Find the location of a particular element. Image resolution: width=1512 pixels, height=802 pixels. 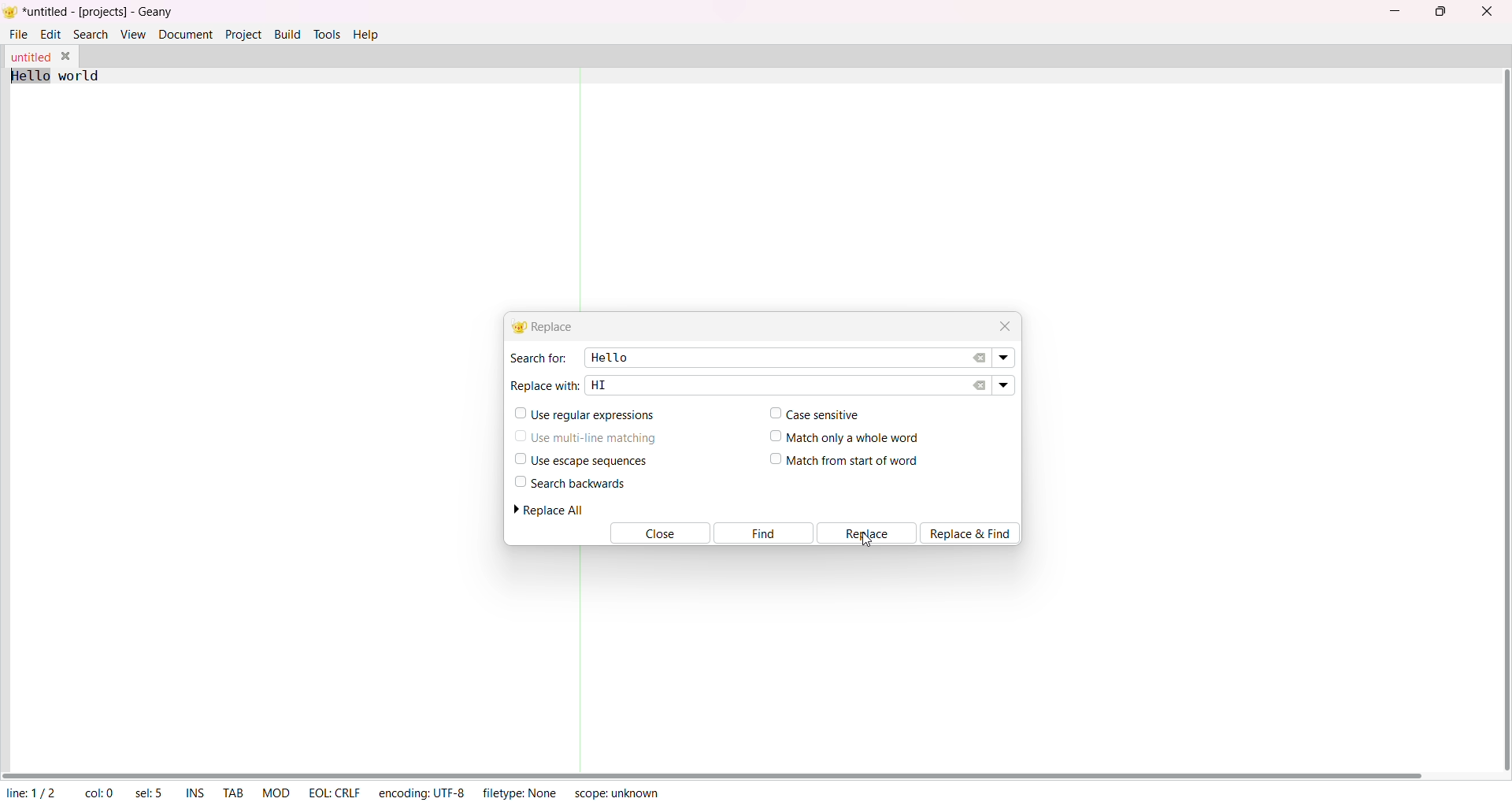

close is located at coordinates (1487, 11).